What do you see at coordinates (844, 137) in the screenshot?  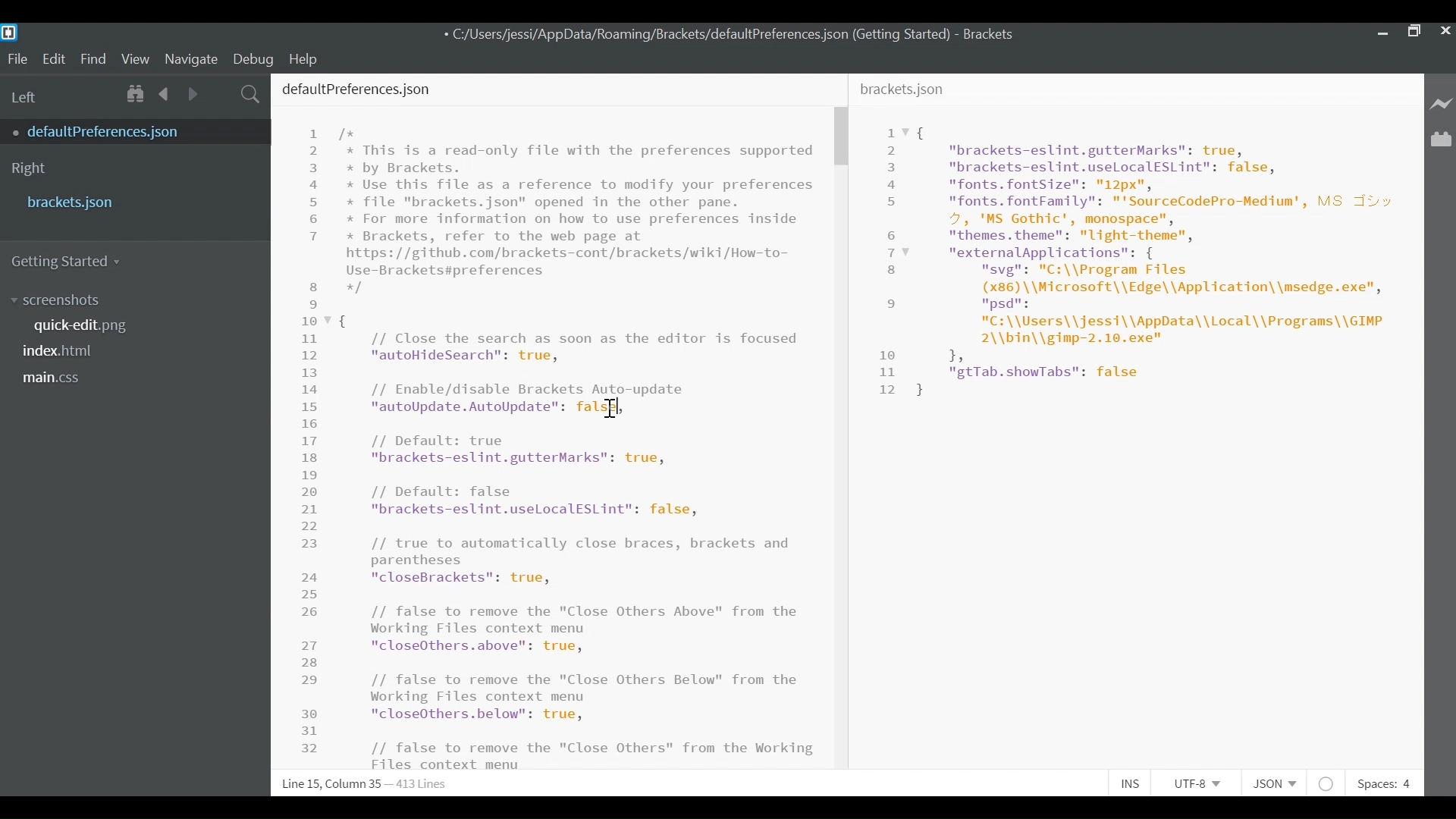 I see `Vertical Scroll bar` at bounding box center [844, 137].